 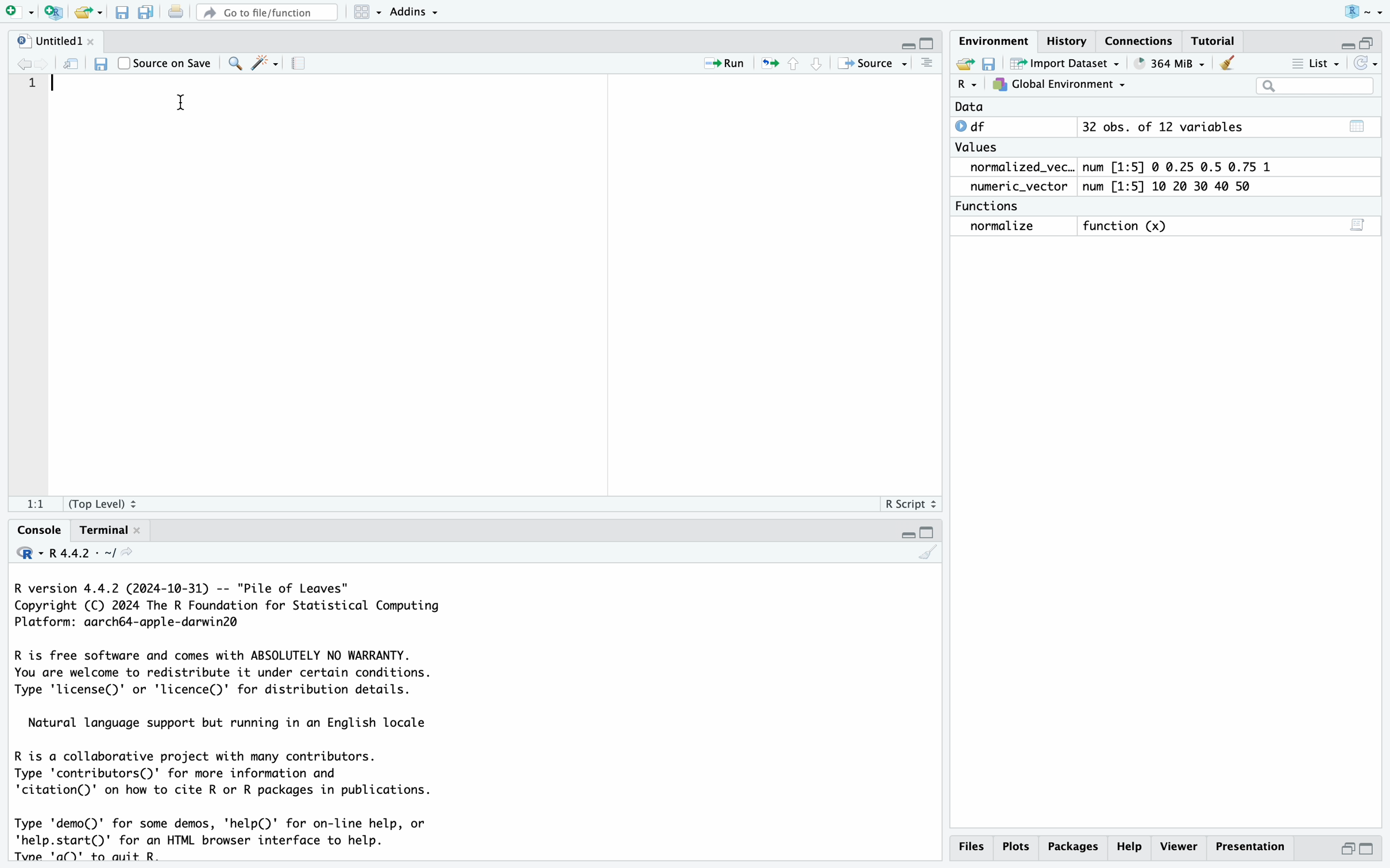 I want to click on List, so click(x=1318, y=65).